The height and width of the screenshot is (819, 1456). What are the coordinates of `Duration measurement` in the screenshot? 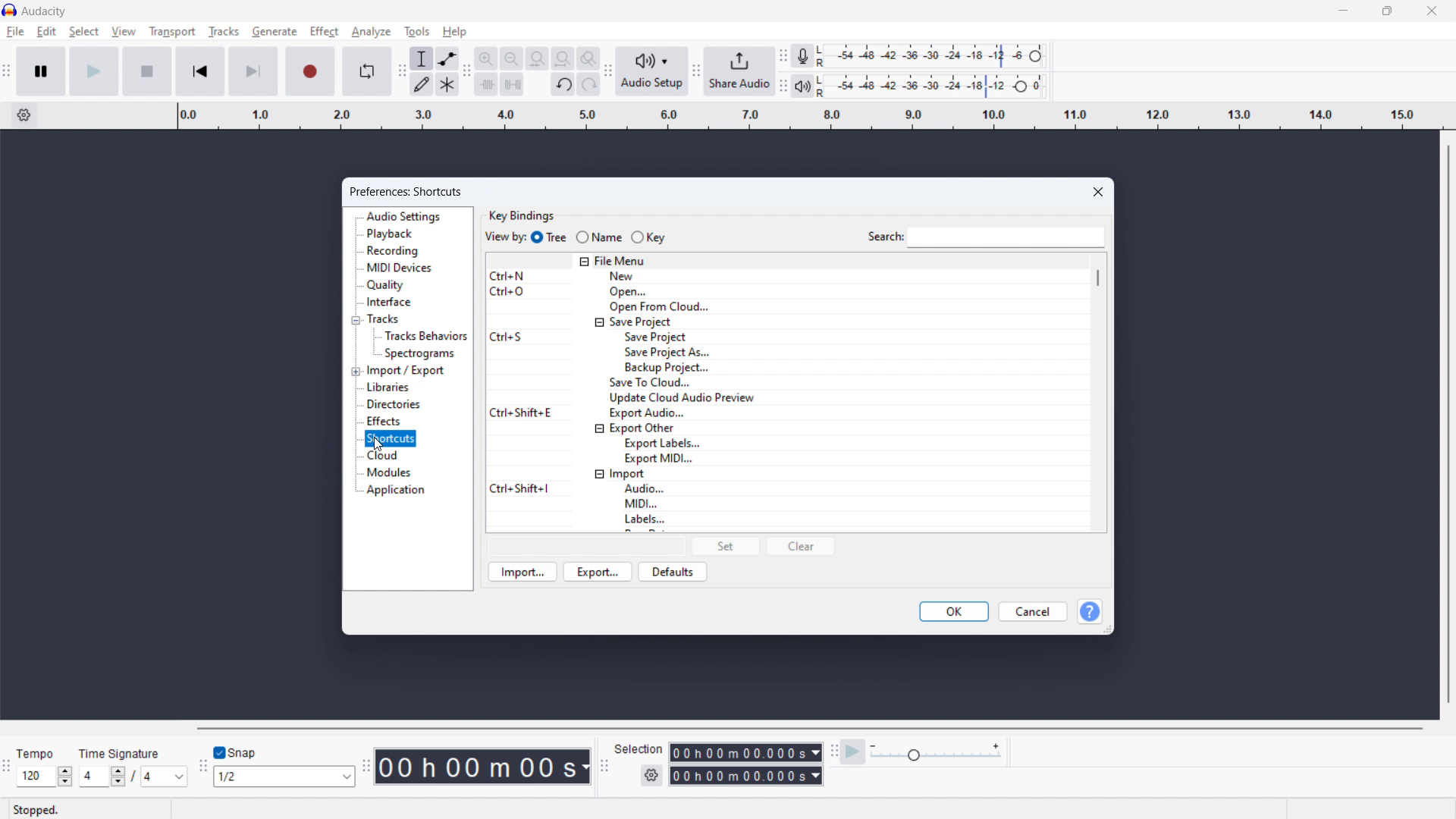 It's located at (816, 752).